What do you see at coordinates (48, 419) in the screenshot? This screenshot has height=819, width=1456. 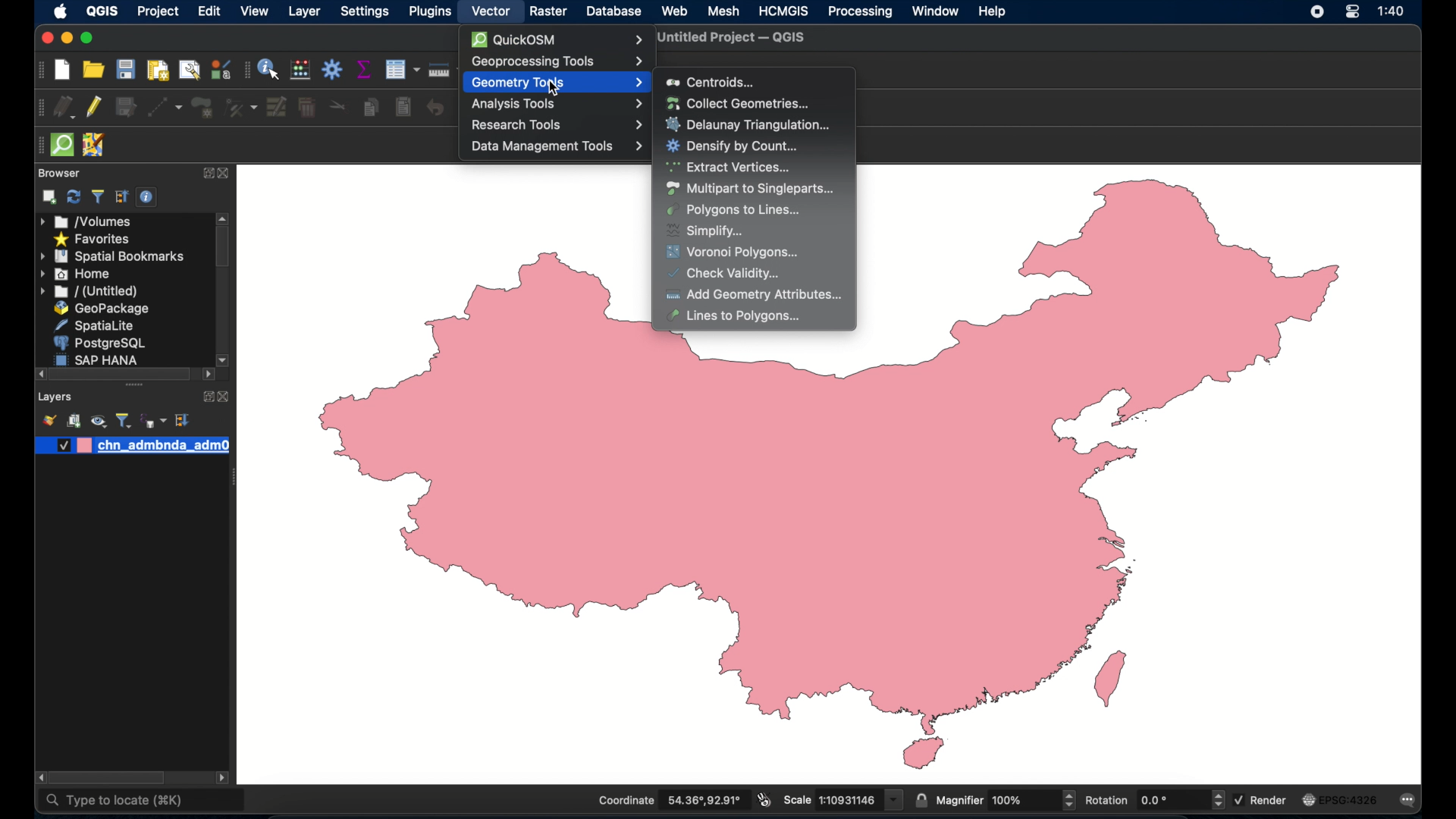 I see `open layer styling panel` at bounding box center [48, 419].